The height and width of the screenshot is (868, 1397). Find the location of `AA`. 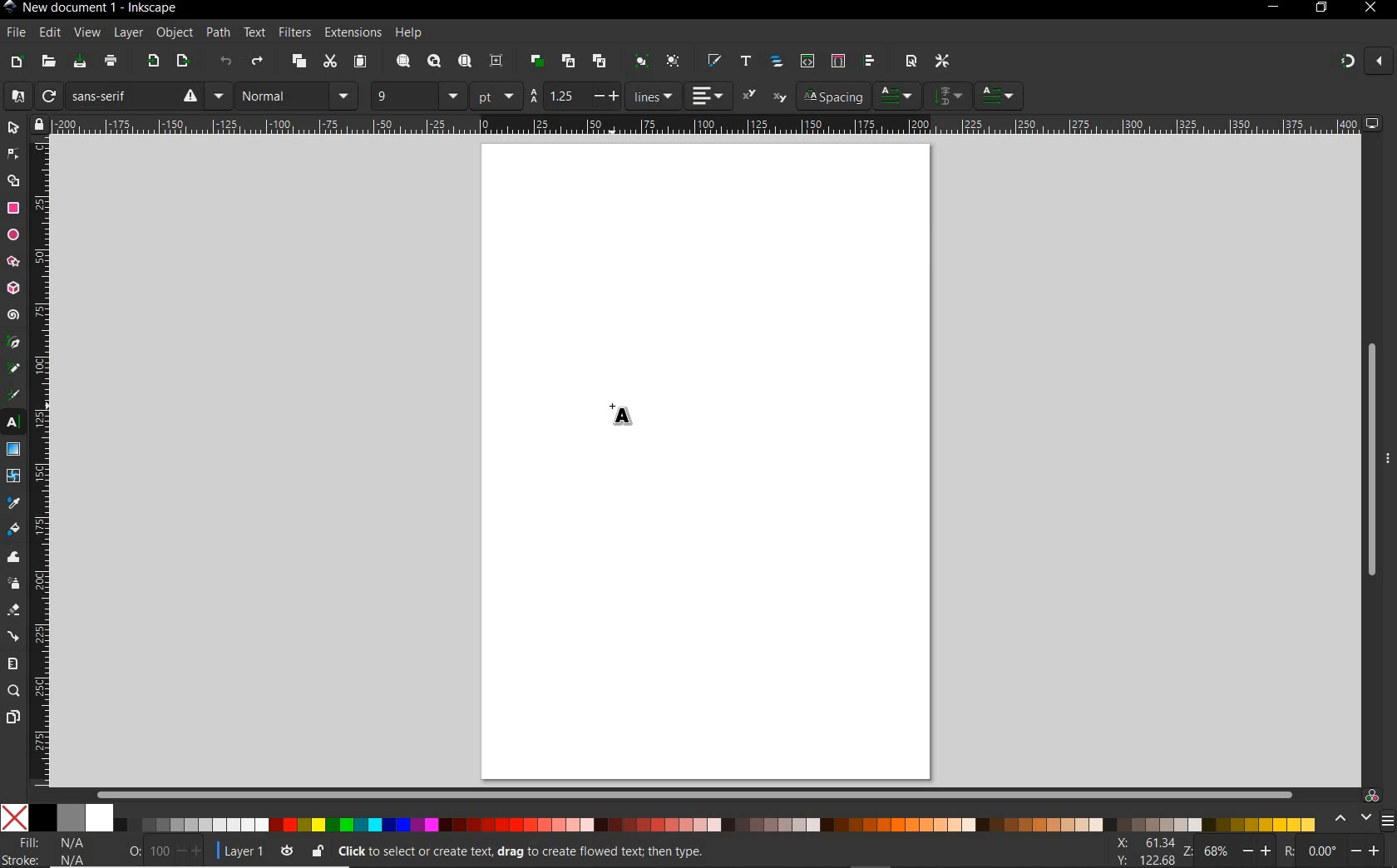

AA is located at coordinates (533, 96).